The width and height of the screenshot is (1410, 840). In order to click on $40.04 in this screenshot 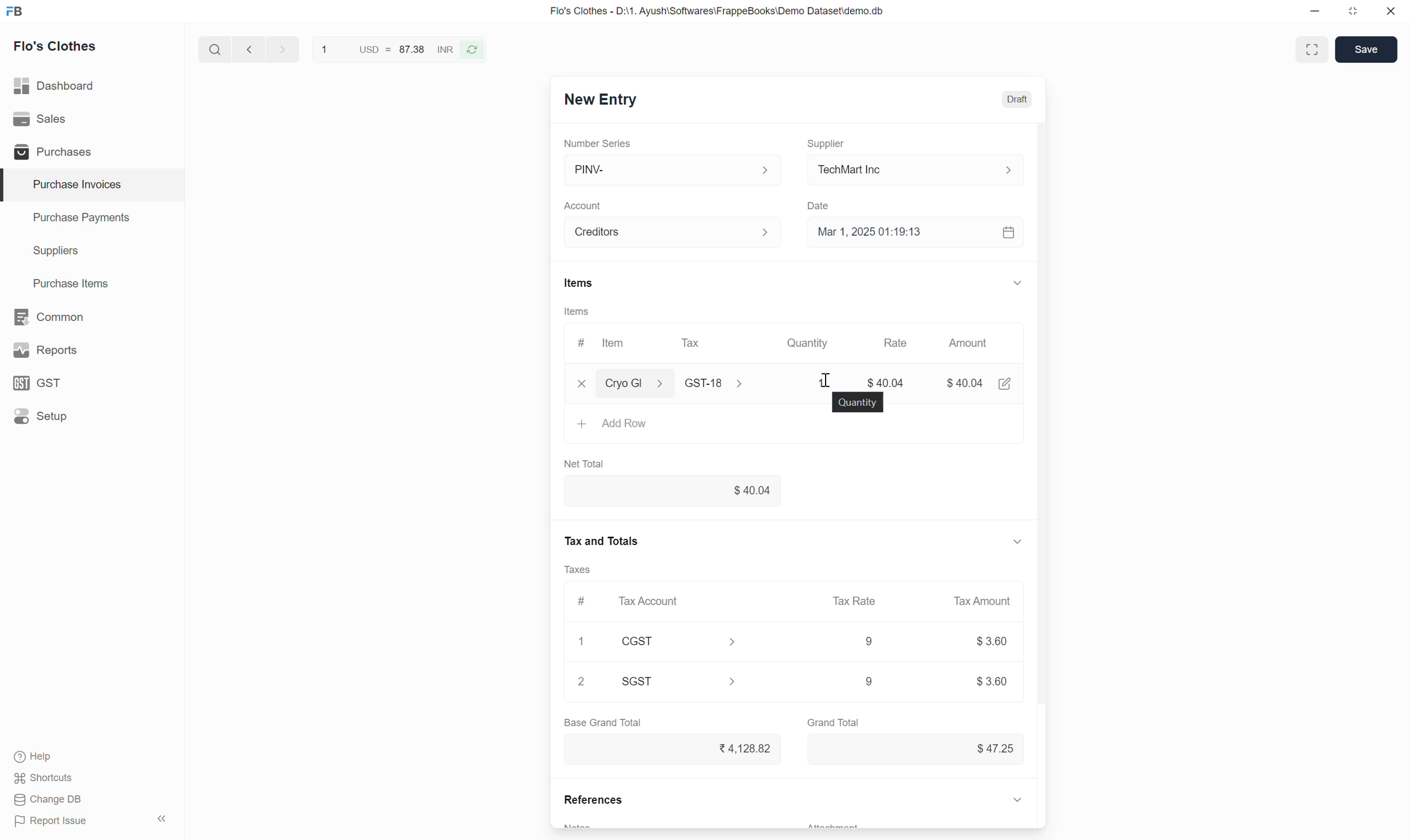, I will do `click(673, 492)`.